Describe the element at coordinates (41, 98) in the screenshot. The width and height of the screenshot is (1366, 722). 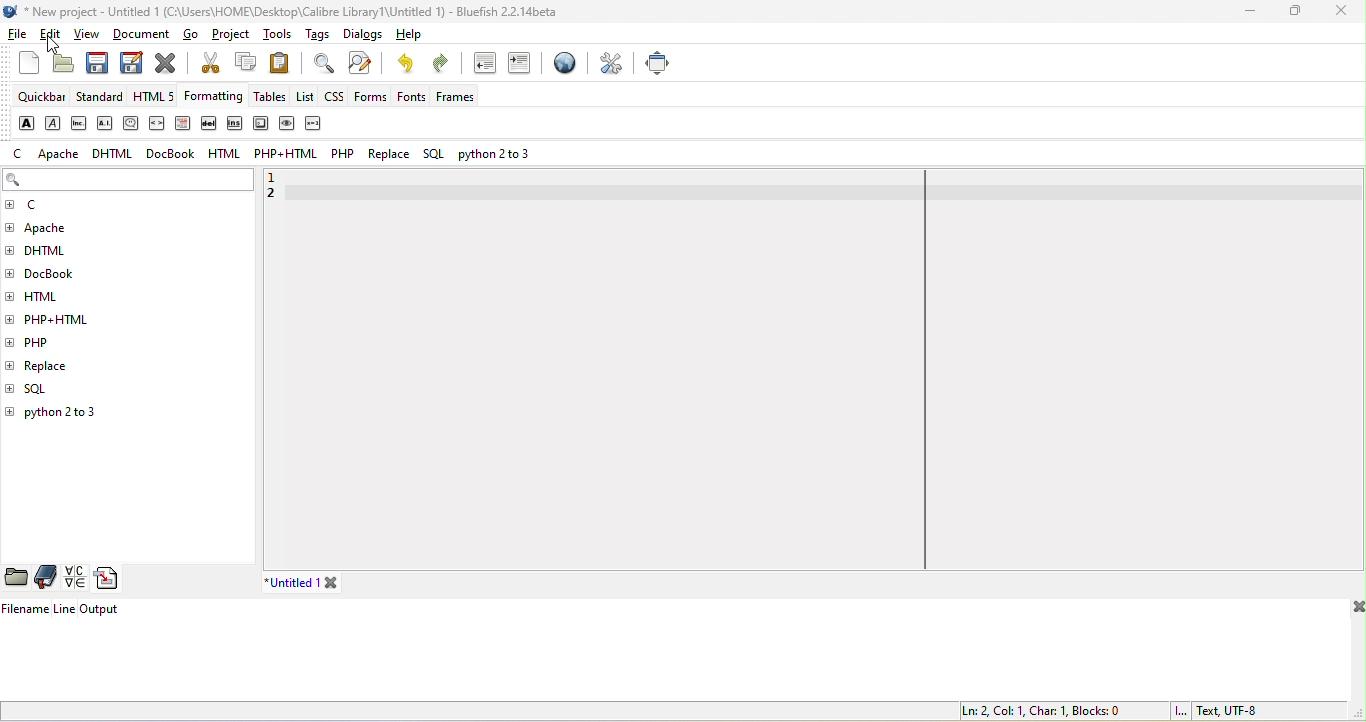
I see `quickbar` at that location.